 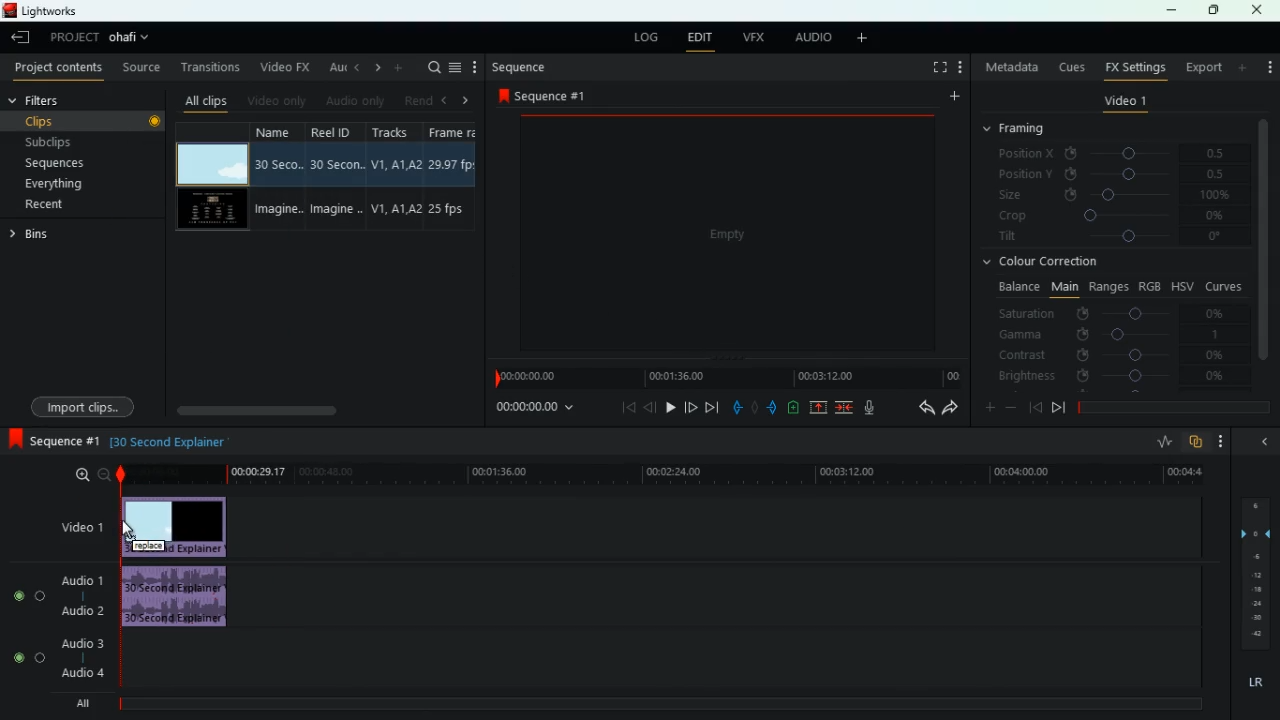 I want to click on hold, so click(x=757, y=410).